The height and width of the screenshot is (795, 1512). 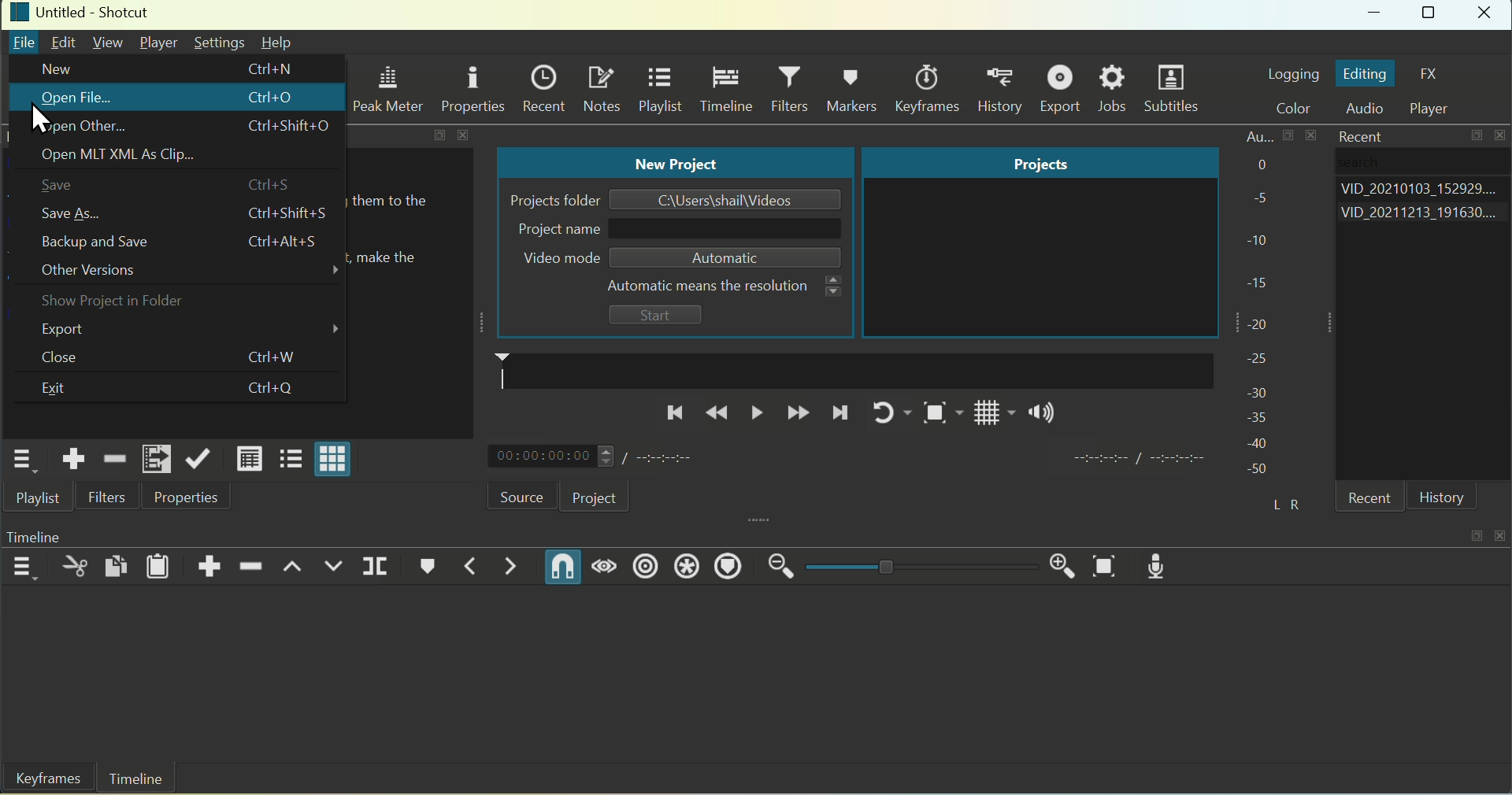 What do you see at coordinates (1301, 109) in the screenshot?
I see `Color` at bounding box center [1301, 109].